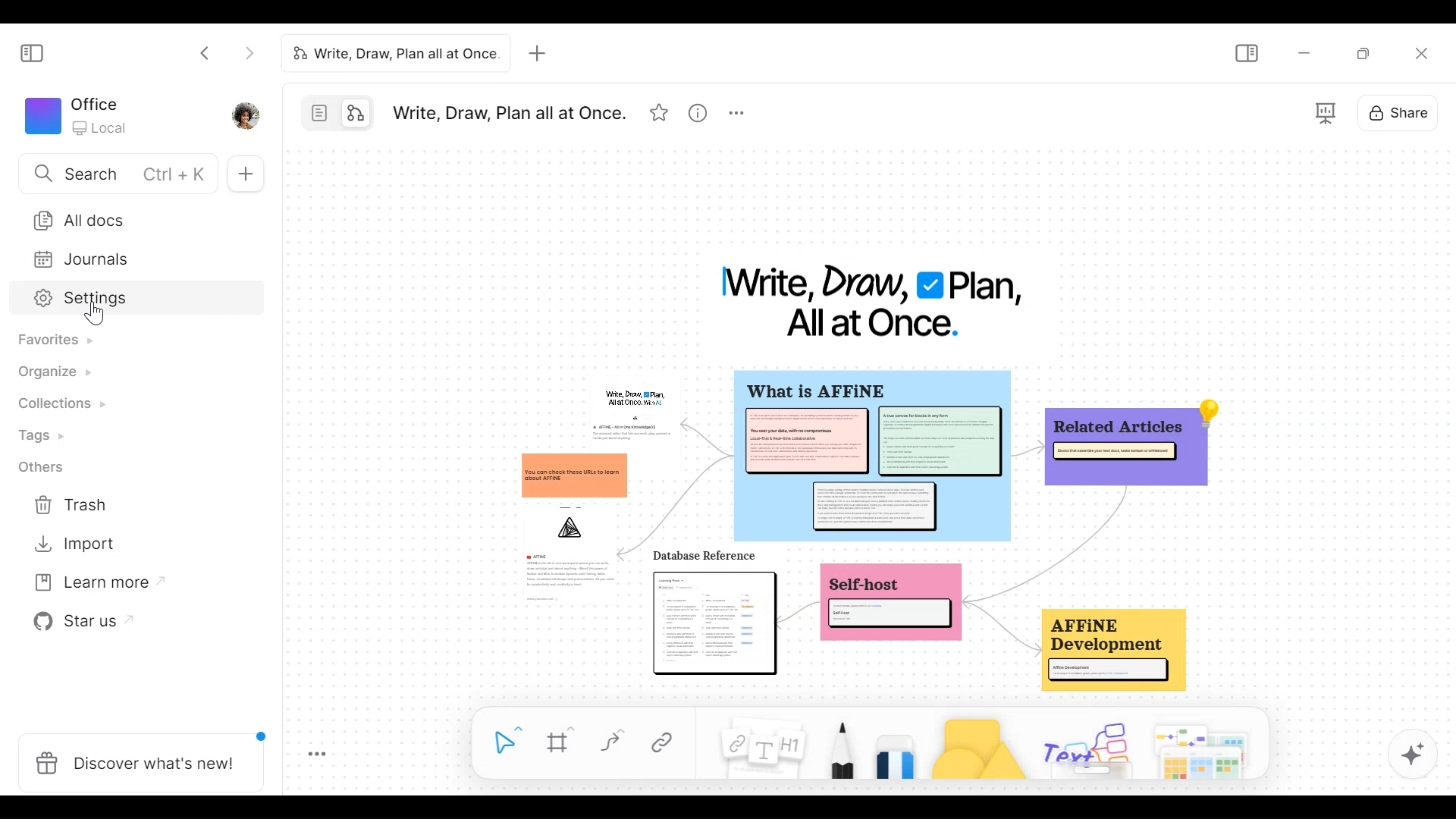  I want to click on Pen, so click(843, 751).